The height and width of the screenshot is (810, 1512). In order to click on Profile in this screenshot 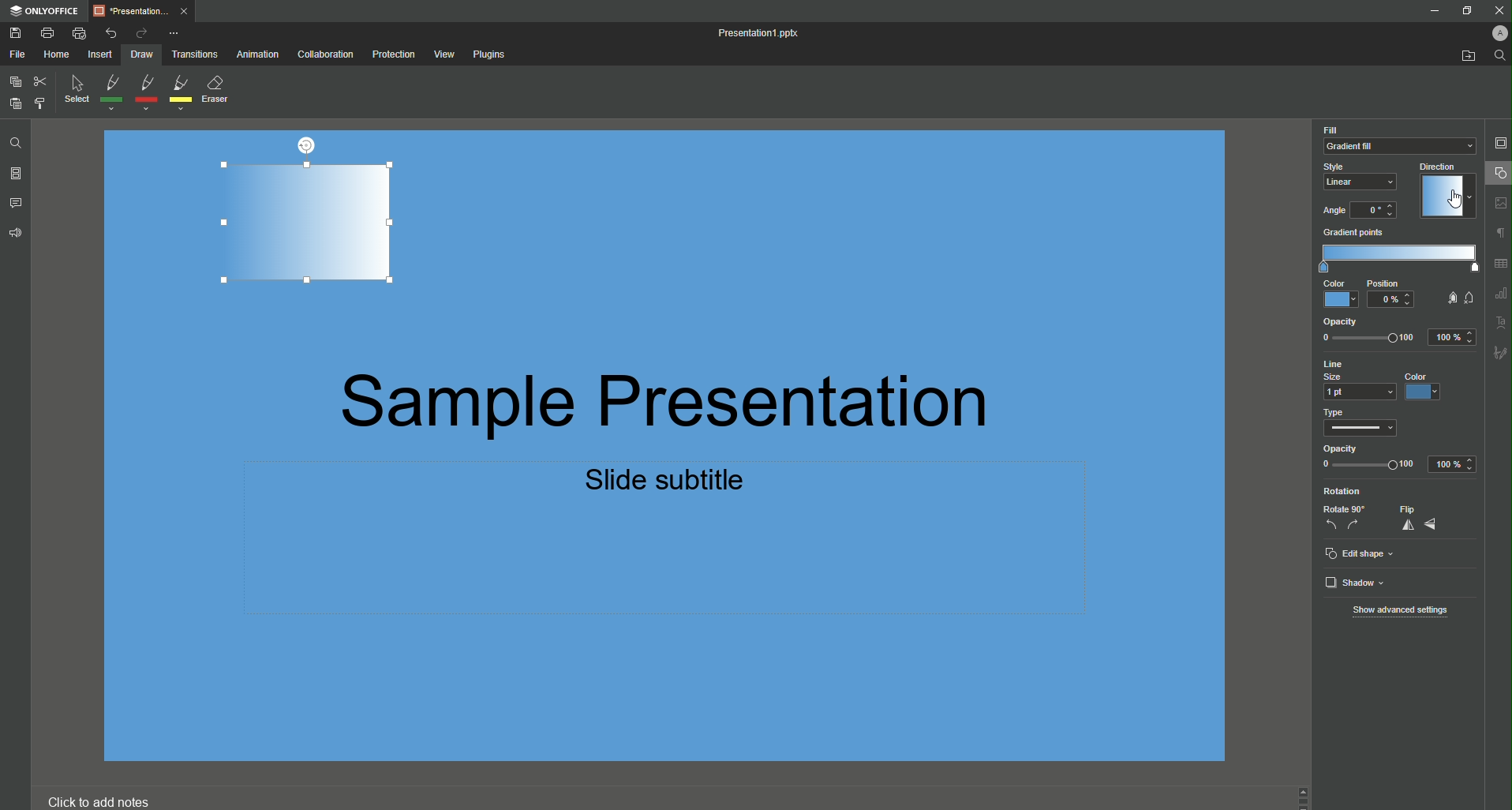, I will do `click(1499, 33)`.